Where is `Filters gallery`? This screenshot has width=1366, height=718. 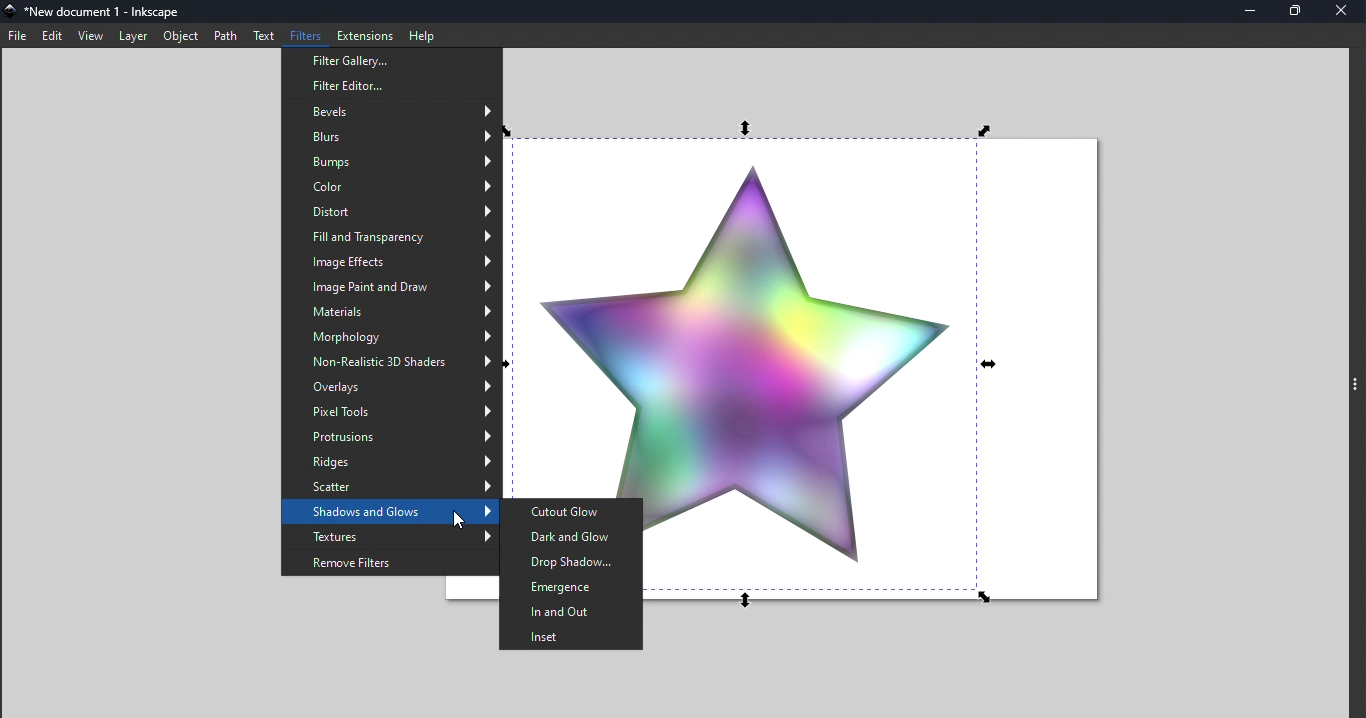 Filters gallery is located at coordinates (393, 60).